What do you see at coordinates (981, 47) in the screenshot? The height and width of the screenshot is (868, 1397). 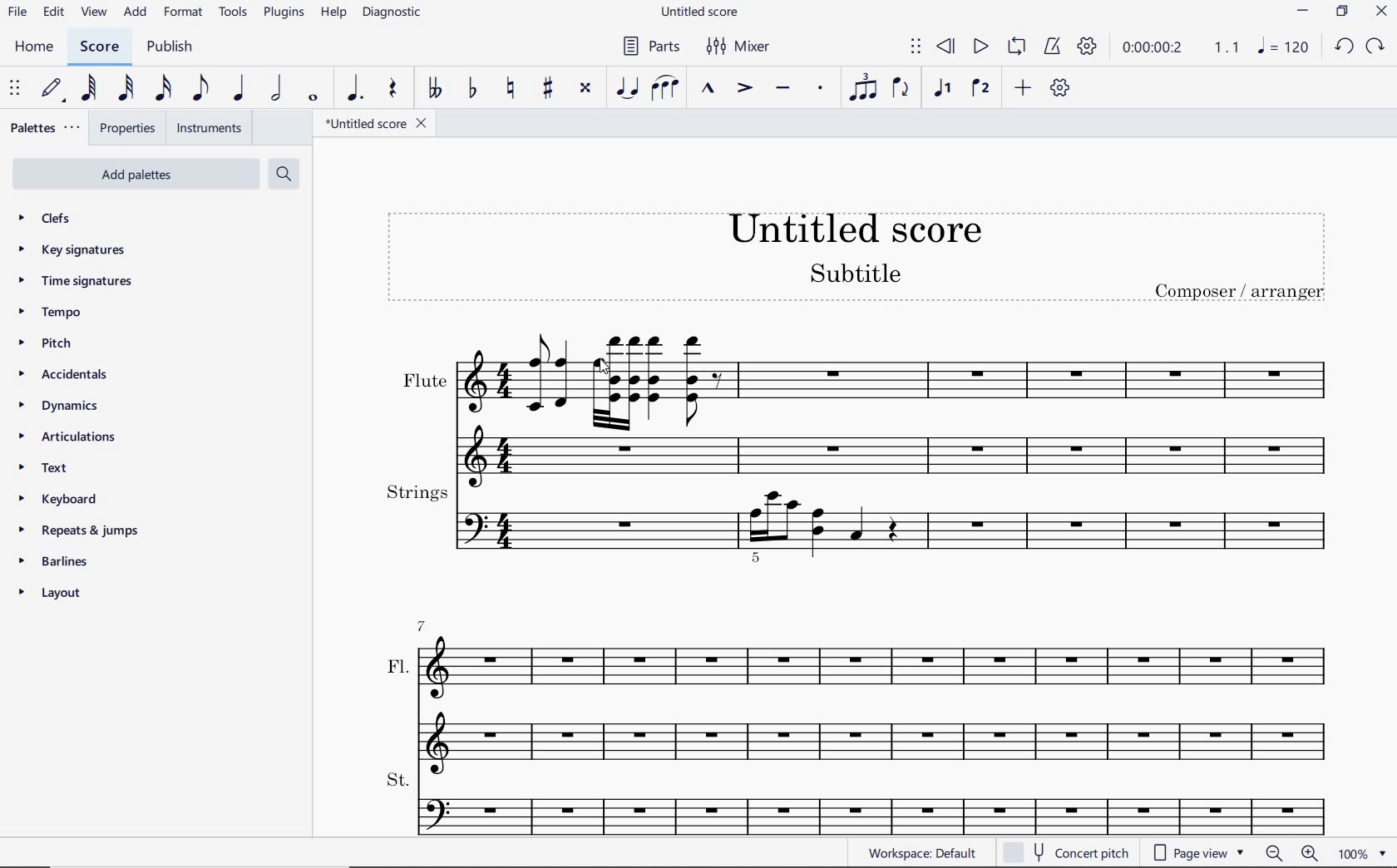 I see `PLAY` at bounding box center [981, 47].